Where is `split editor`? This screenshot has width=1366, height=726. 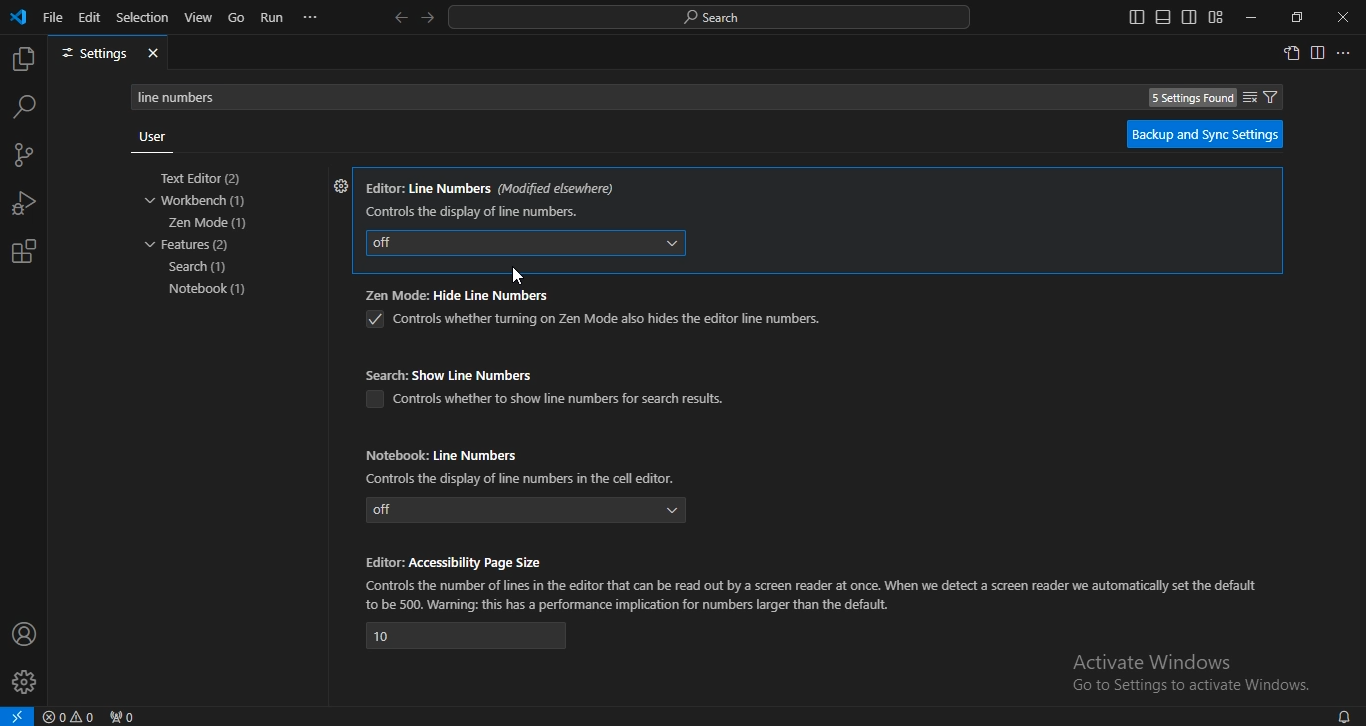
split editor is located at coordinates (1319, 54).